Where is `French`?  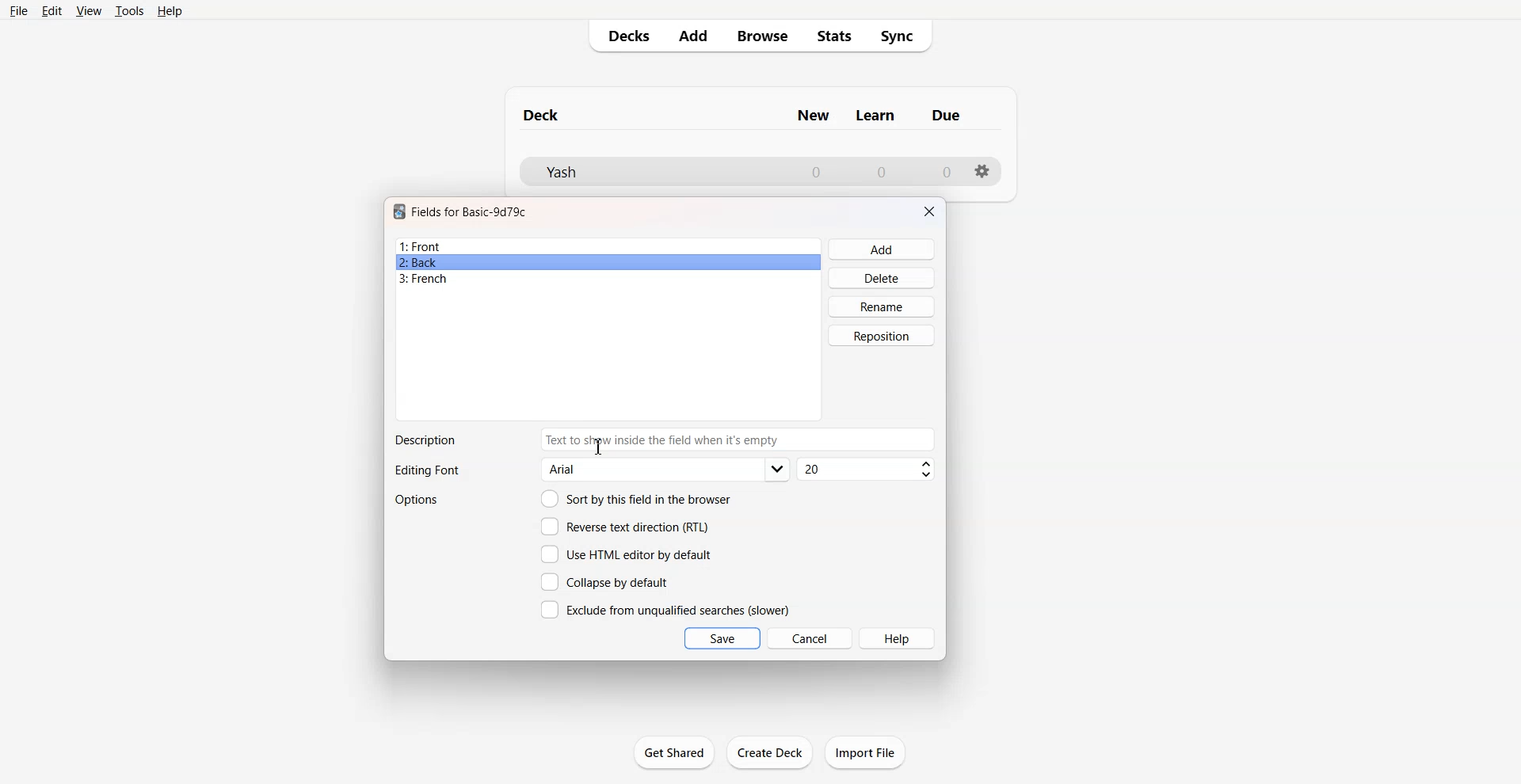 French is located at coordinates (608, 279).